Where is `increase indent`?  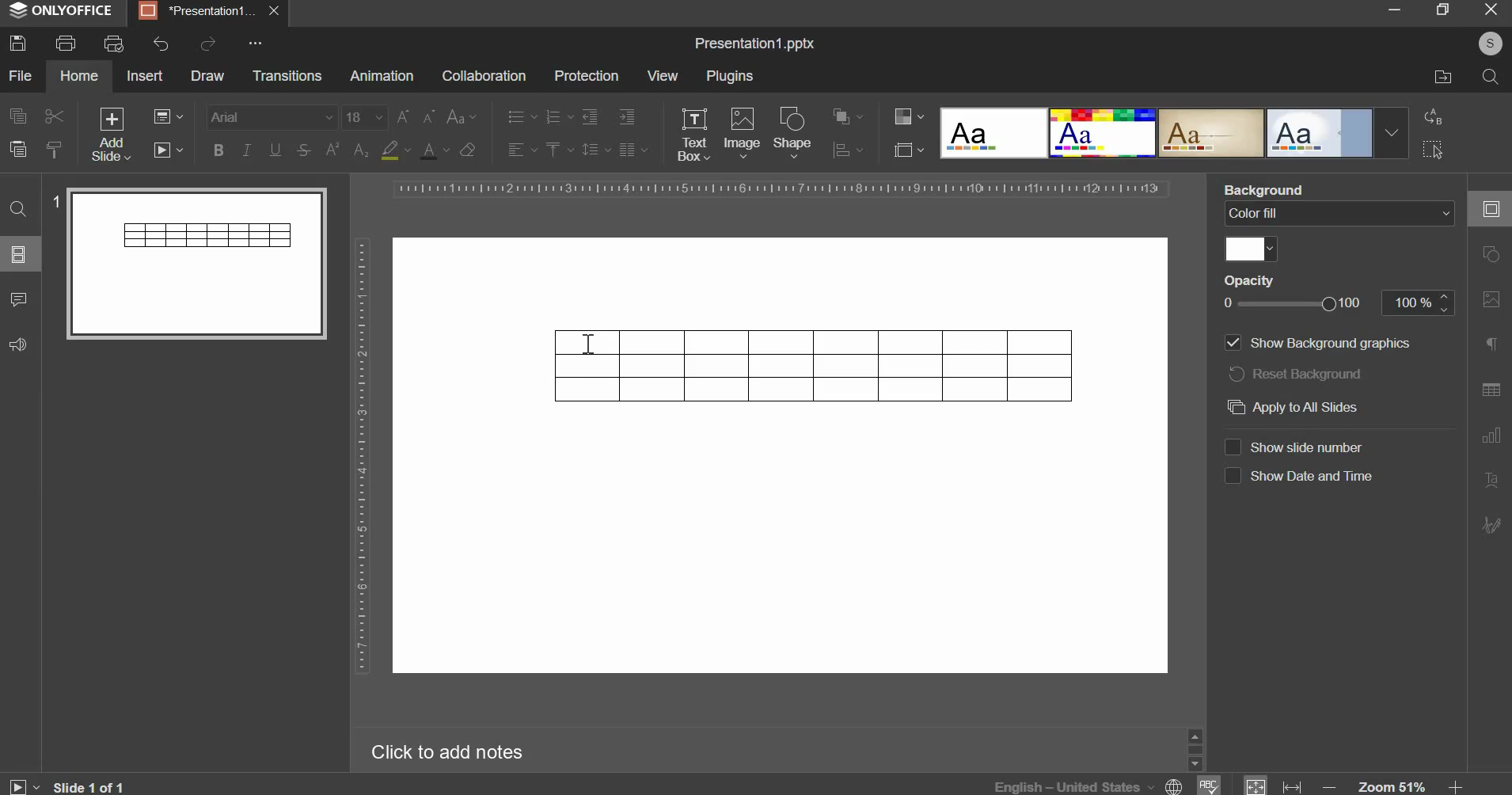
increase indent is located at coordinates (628, 116).